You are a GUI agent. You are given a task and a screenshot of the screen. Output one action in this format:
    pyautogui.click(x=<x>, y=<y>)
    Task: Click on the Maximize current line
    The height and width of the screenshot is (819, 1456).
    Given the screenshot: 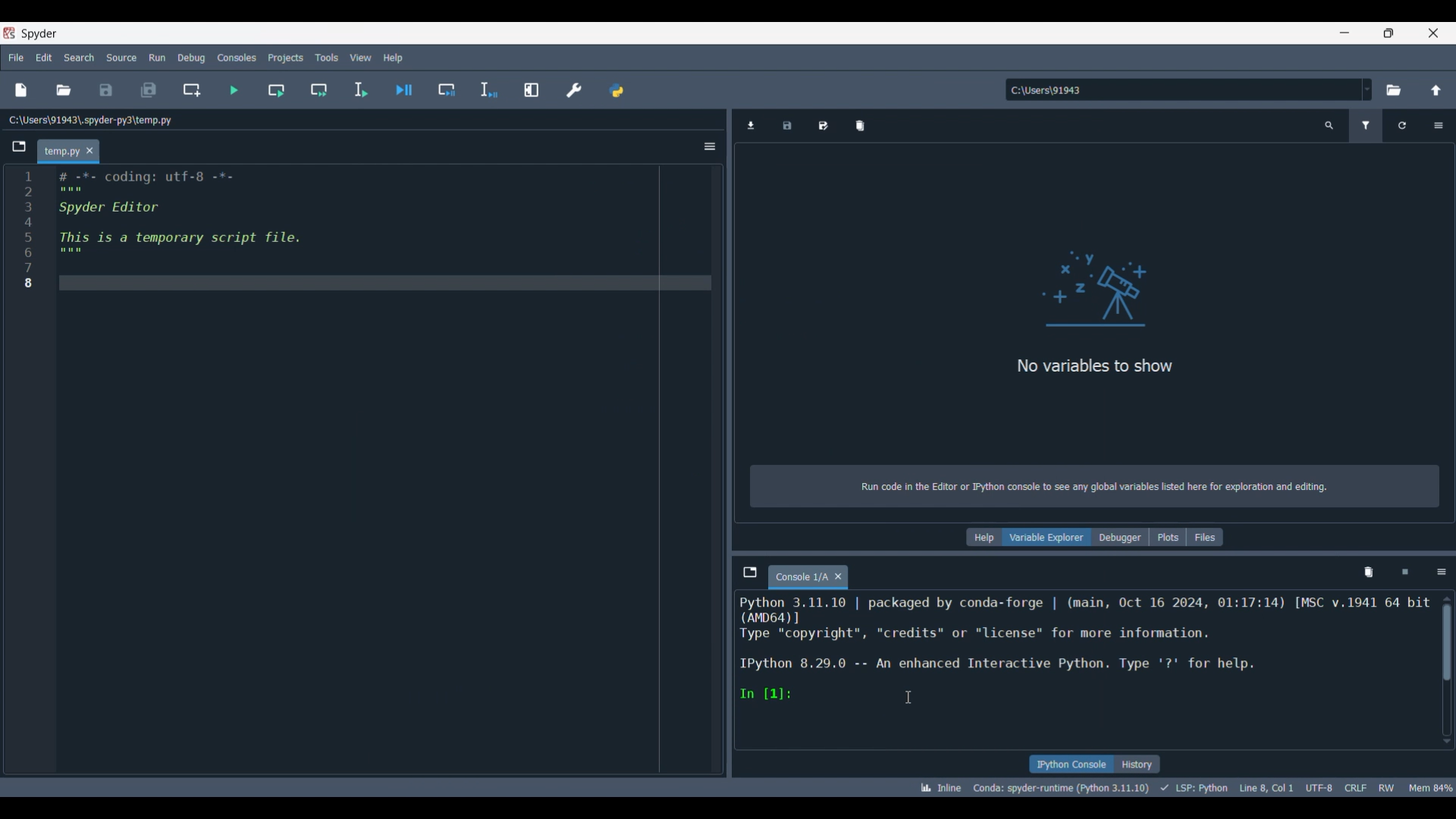 What is the action you would take?
    pyautogui.click(x=532, y=90)
    